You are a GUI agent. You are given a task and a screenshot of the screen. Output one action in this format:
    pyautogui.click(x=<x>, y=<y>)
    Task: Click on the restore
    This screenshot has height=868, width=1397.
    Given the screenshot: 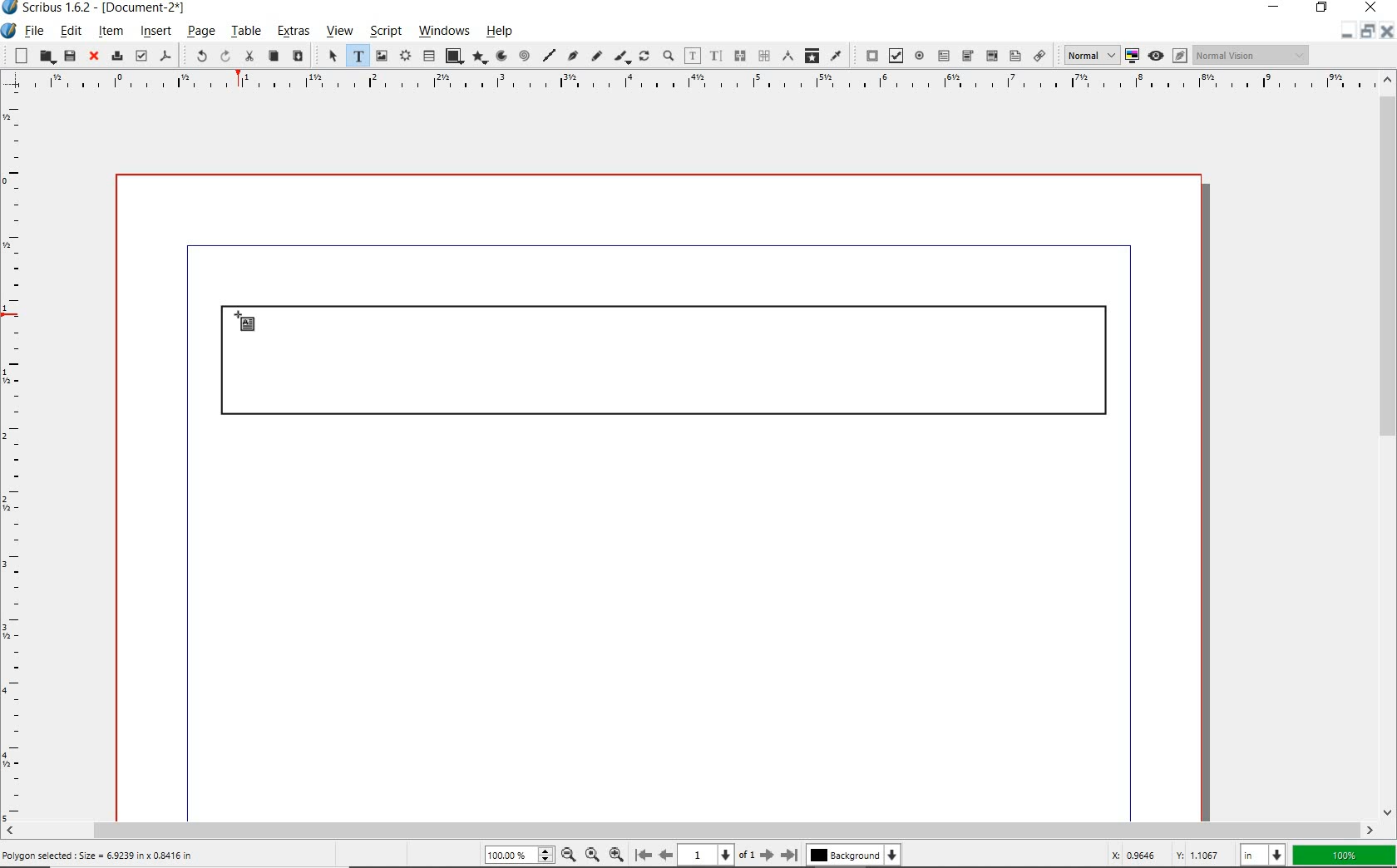 What is the action you would take?
    pyautogui.click(x=1368, y=35)
    